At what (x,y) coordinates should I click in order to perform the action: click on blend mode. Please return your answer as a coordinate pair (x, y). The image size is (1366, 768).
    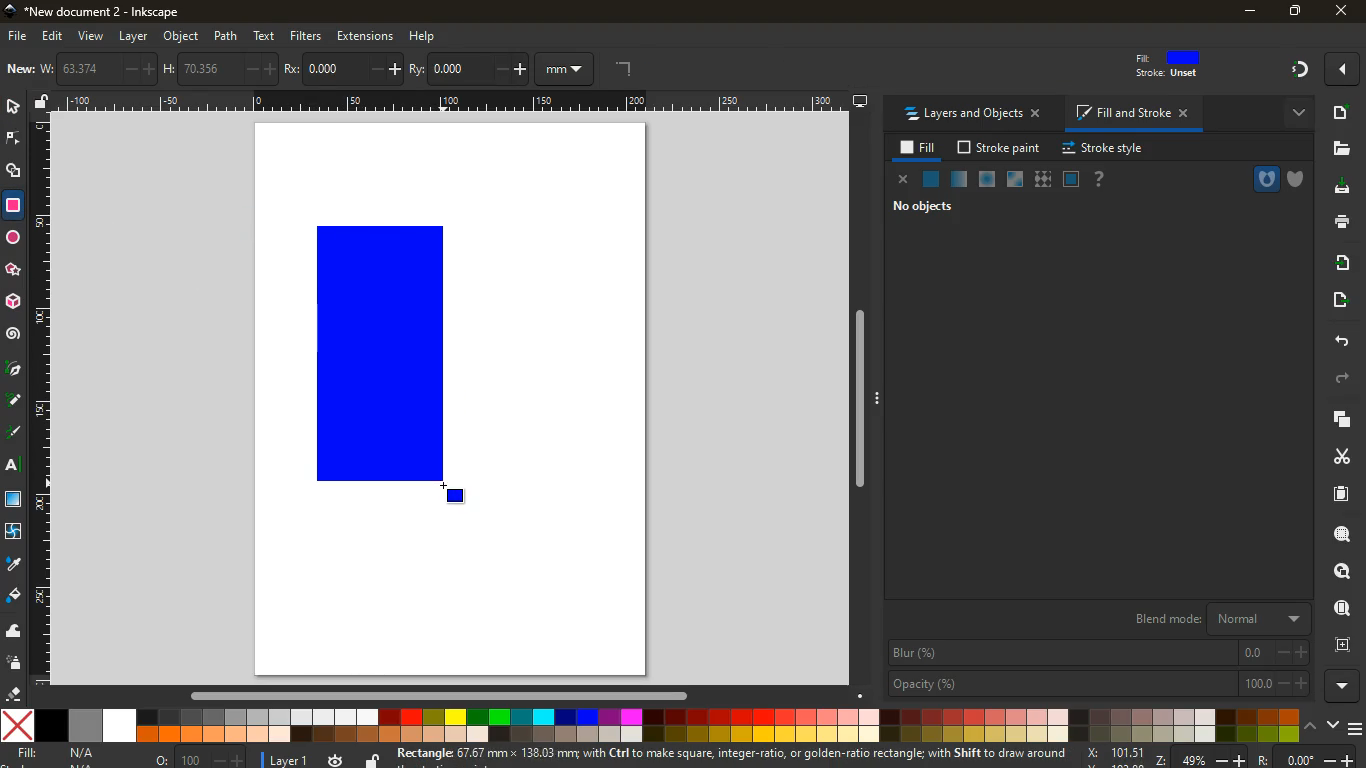
    Looking at the image, I should click on (1222, 618).